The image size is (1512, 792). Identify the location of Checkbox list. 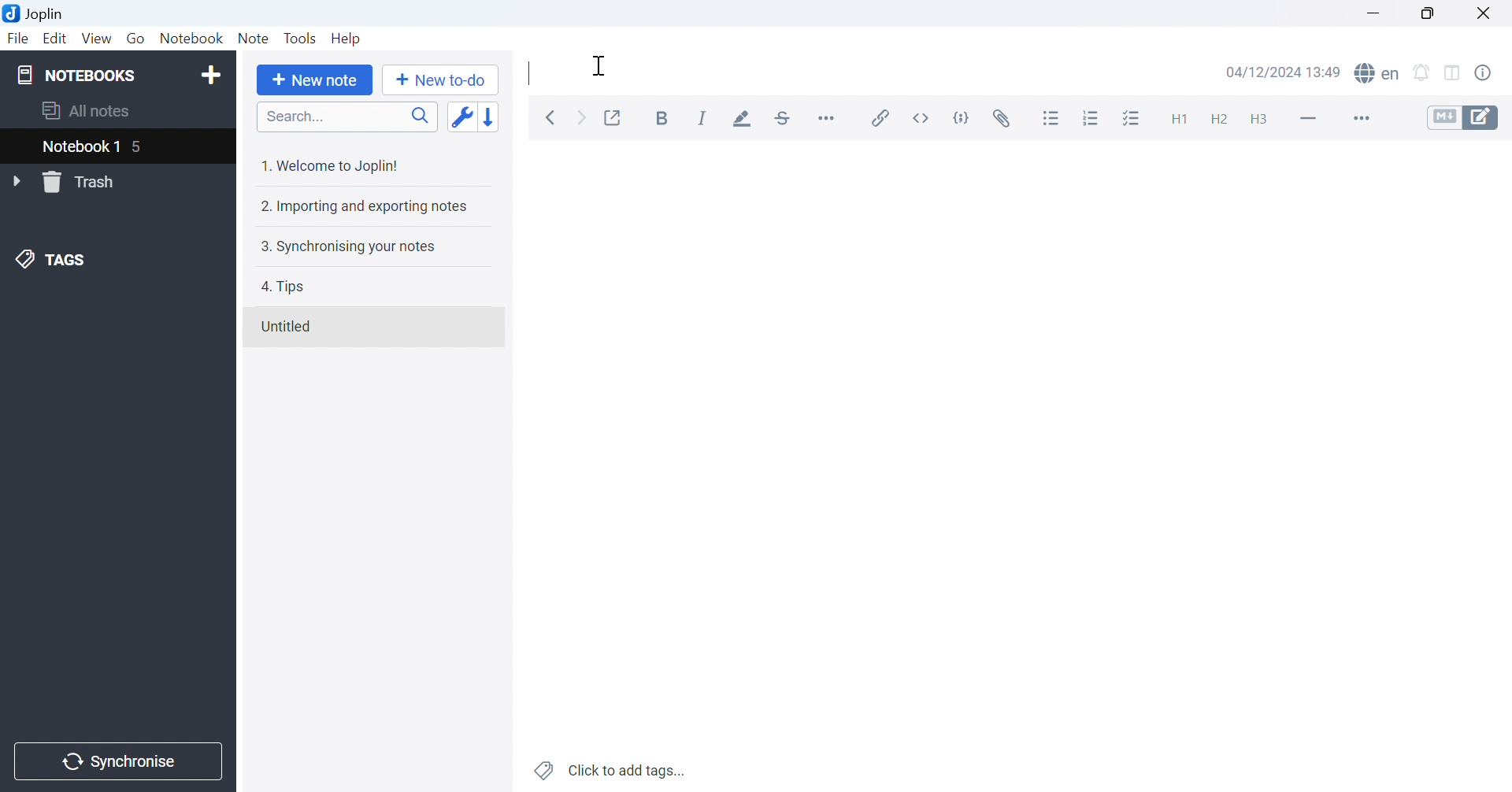
(1133, 118).